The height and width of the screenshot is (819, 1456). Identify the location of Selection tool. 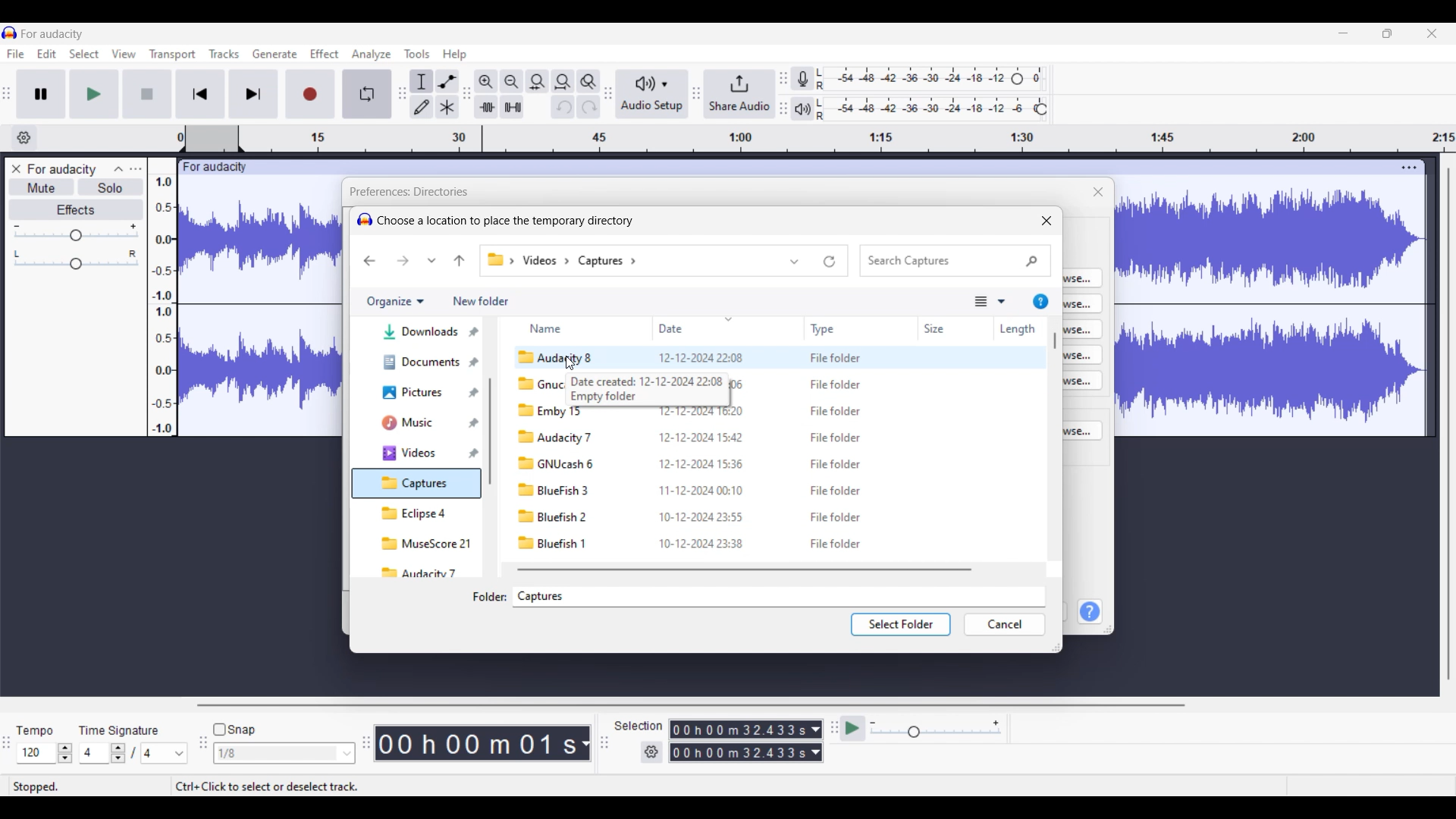
(422, 81).